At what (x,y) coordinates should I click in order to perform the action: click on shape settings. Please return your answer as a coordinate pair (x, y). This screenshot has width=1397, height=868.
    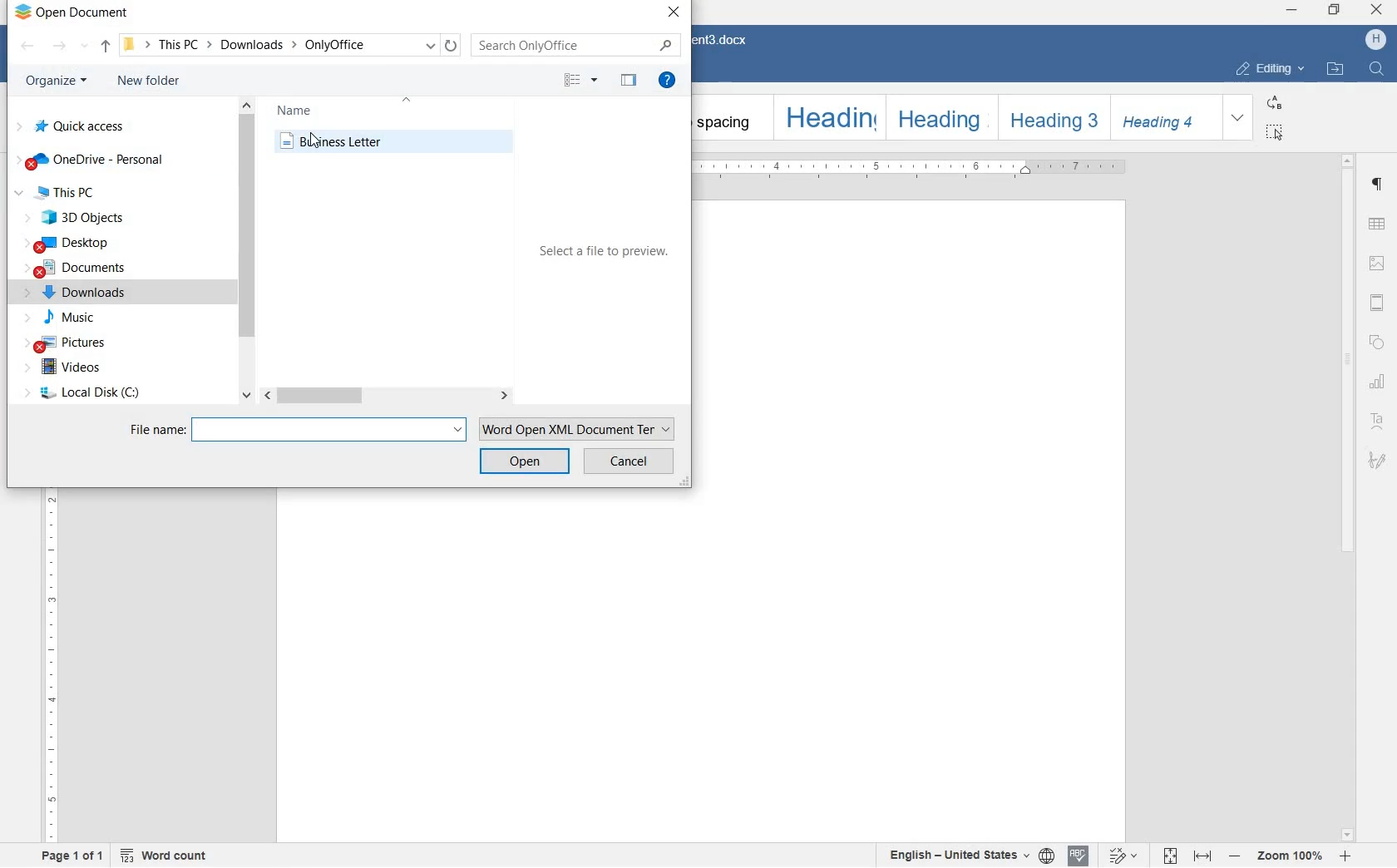
    Looking at the image, I should click on (1379, 340).